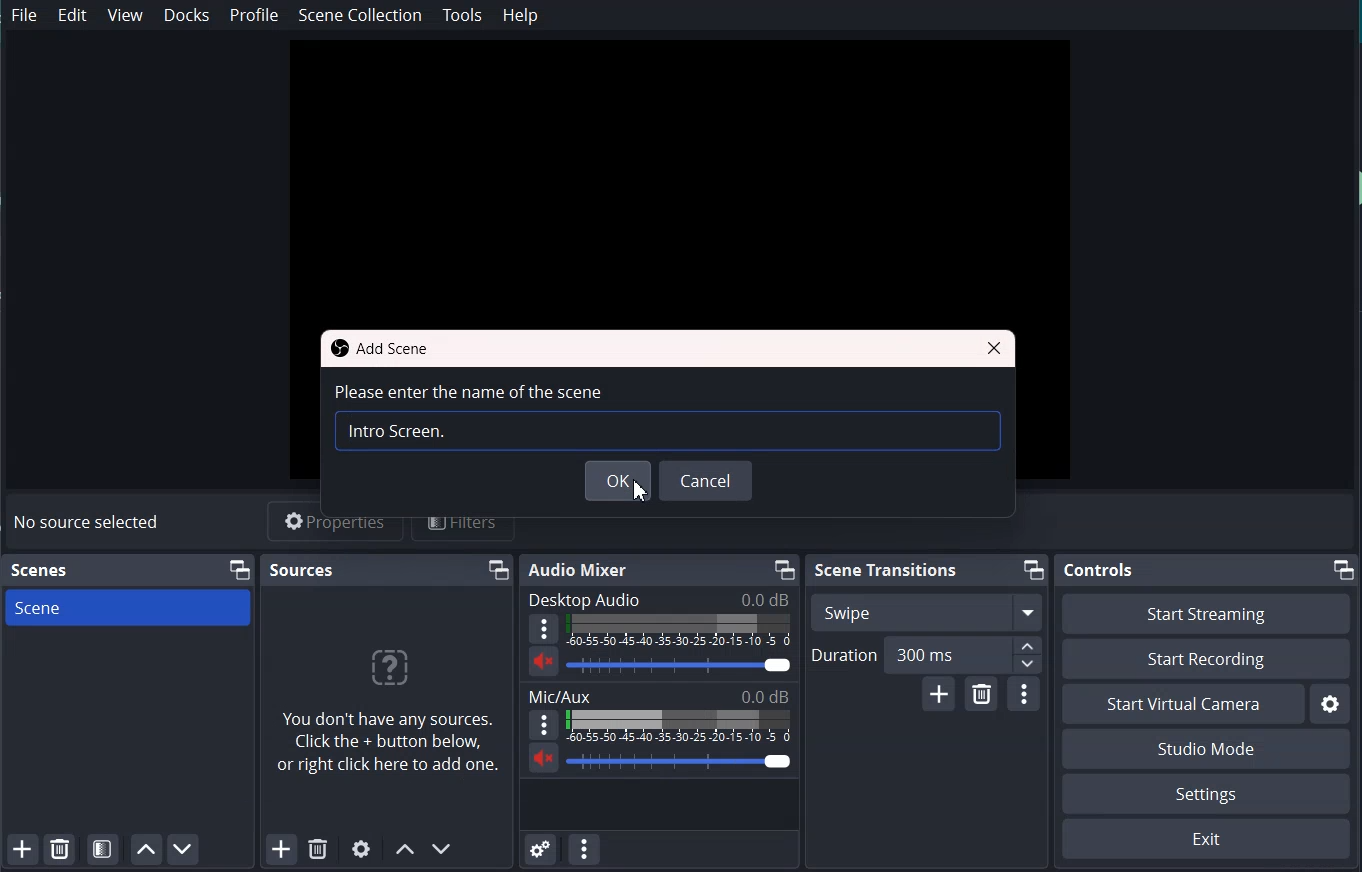 The width and height of the screenshot is (1362, 872). What do you see at coordinates (1206, 794) in the screenshot?
I see `Settings` at bounding box center [1206, 794].